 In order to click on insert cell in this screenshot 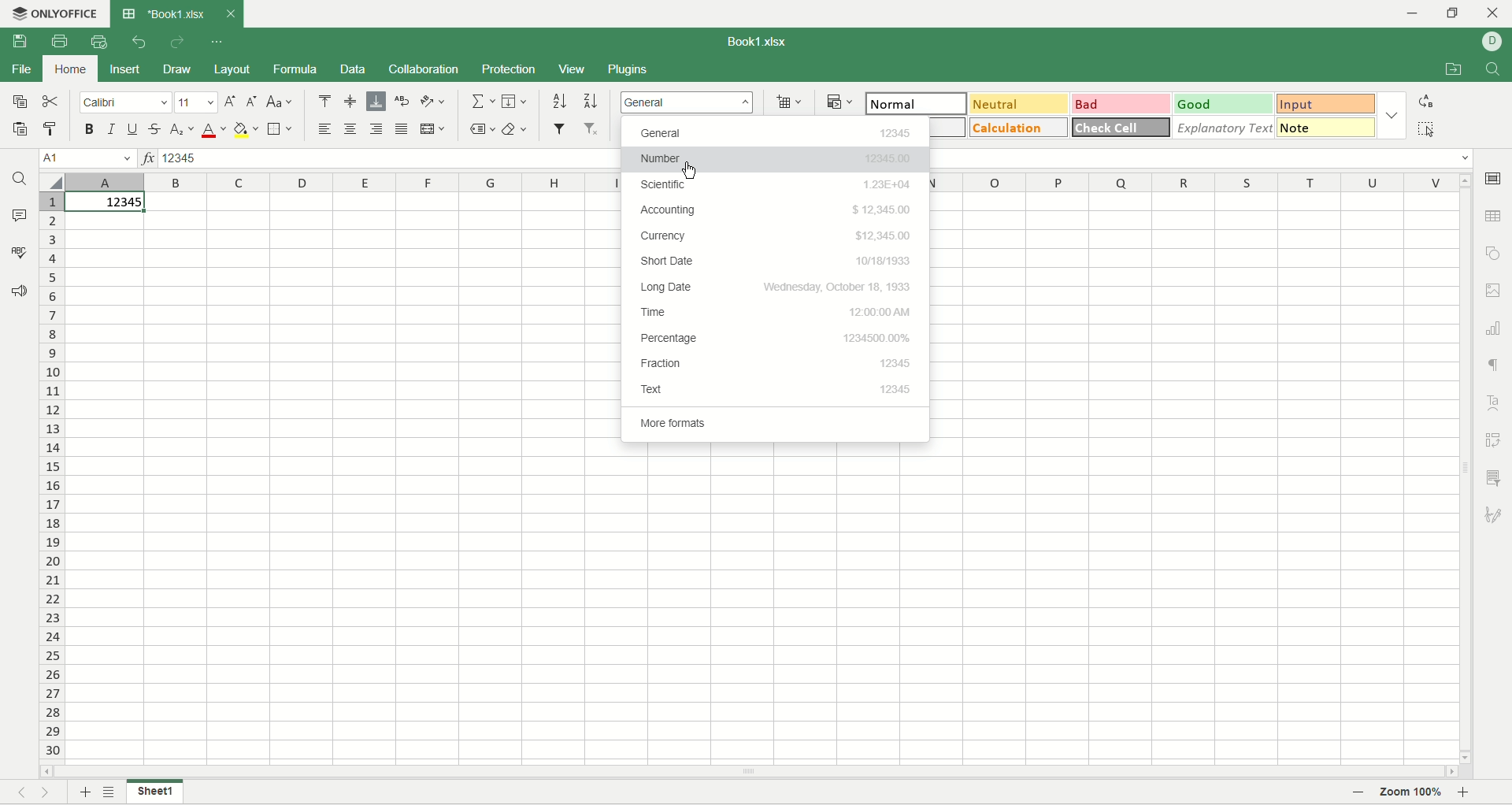, I will do `click(789, 102)`.